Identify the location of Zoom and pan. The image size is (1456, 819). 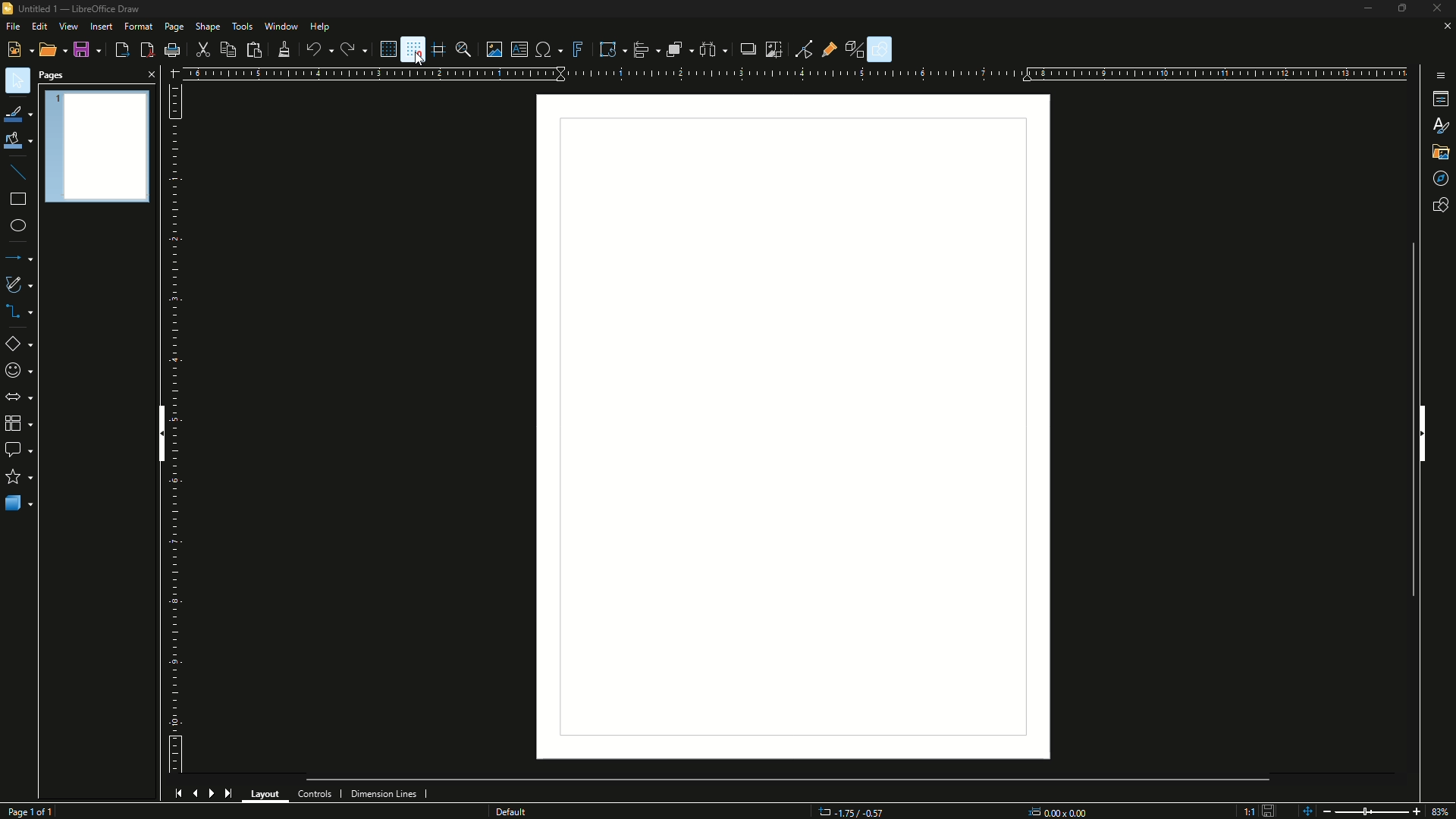
(465, 50).